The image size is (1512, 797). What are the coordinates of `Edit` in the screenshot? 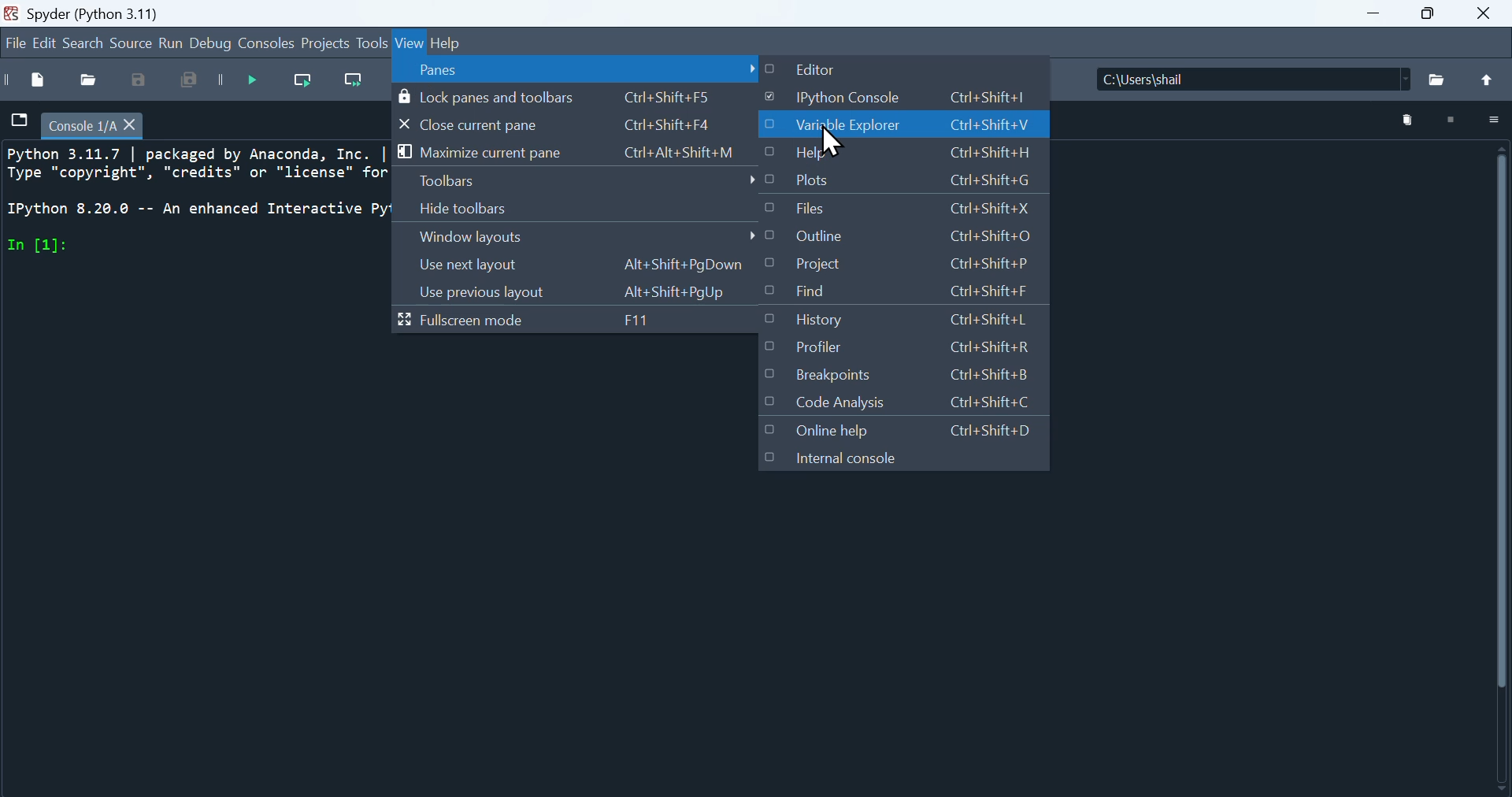 It's located at (46, 43).